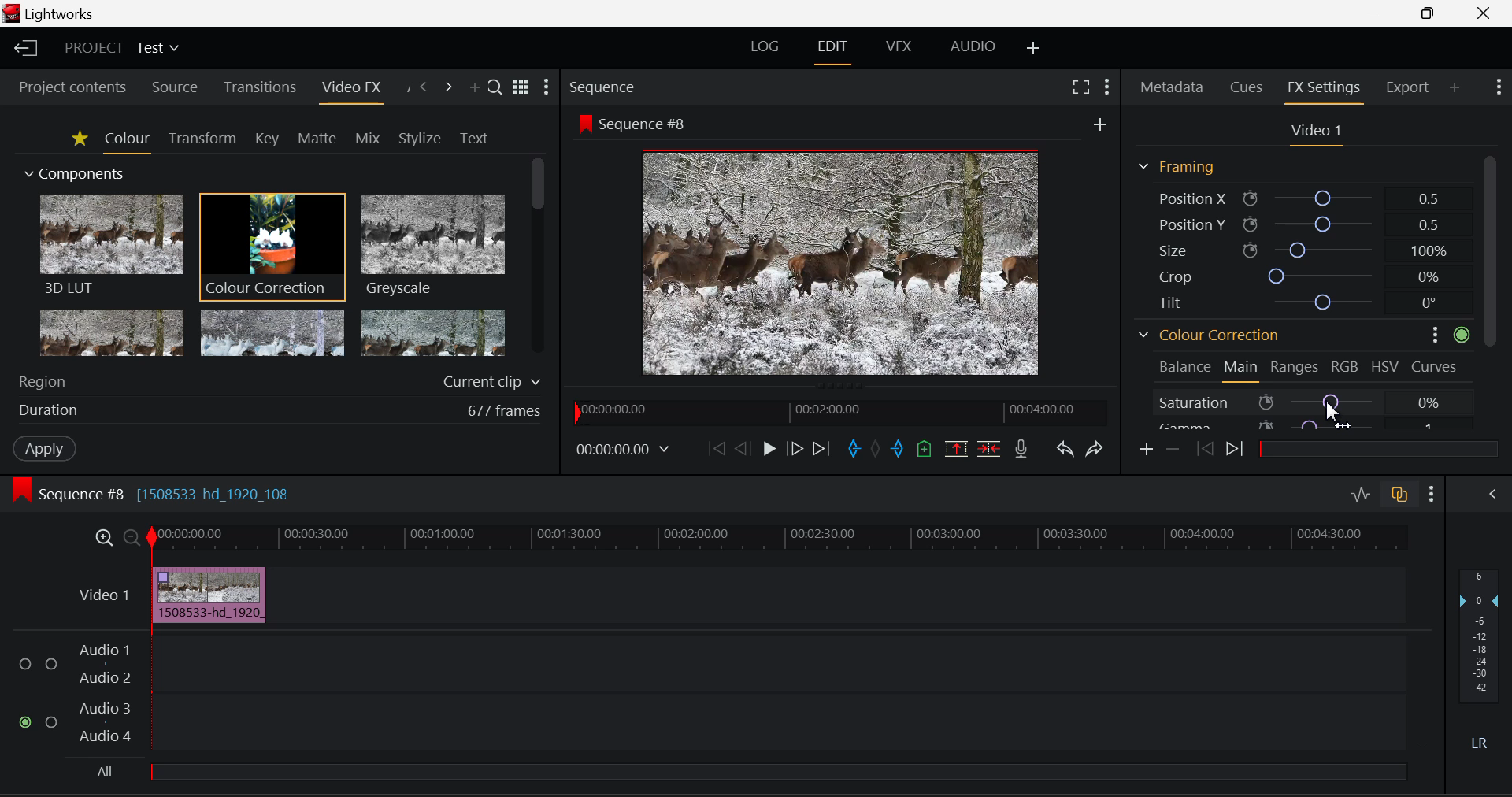  Describe the element at coordinates (1314, 132) in the screenshot. I see `Video Settings` at that location.